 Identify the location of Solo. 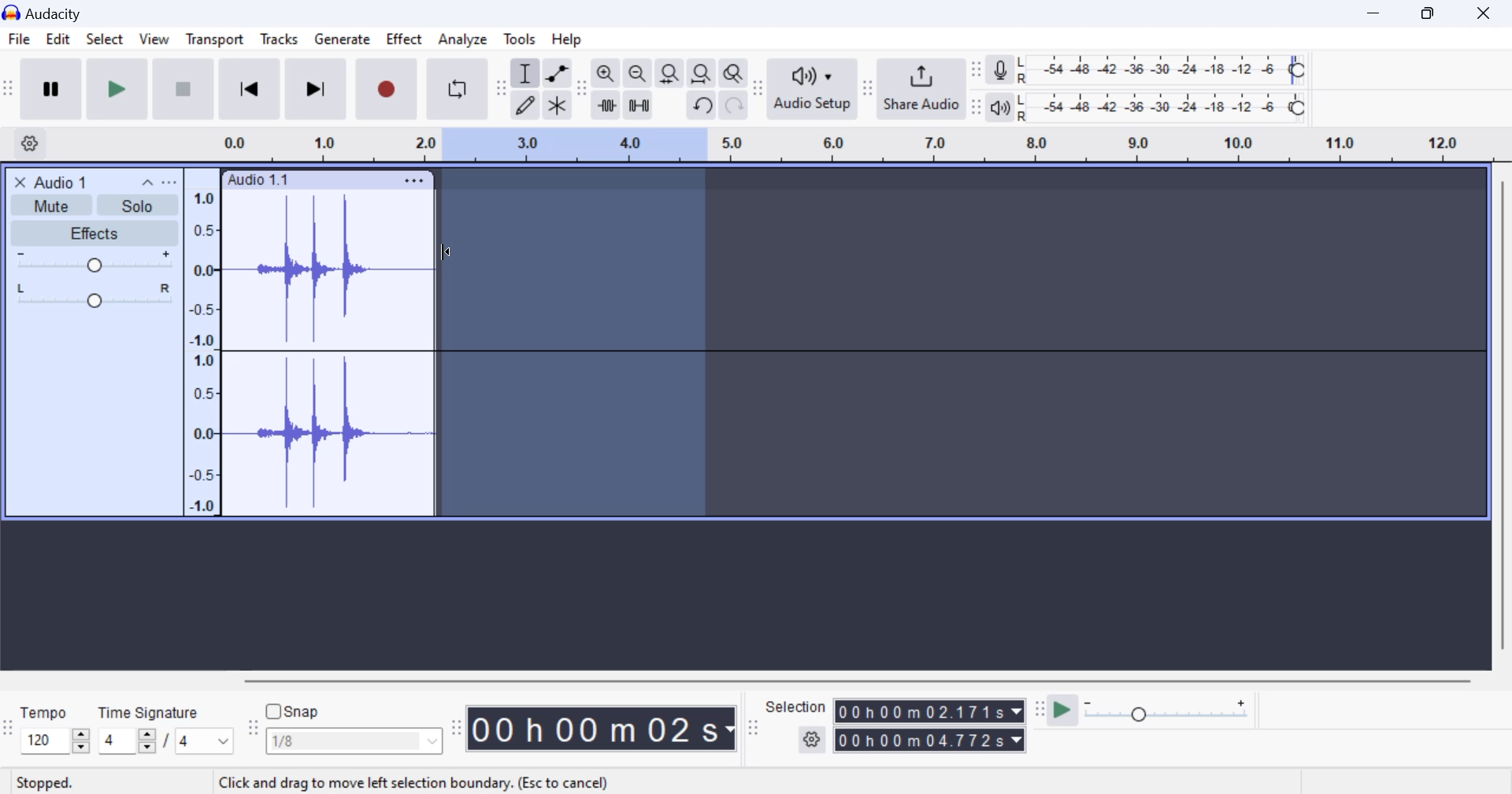
(139, 206).